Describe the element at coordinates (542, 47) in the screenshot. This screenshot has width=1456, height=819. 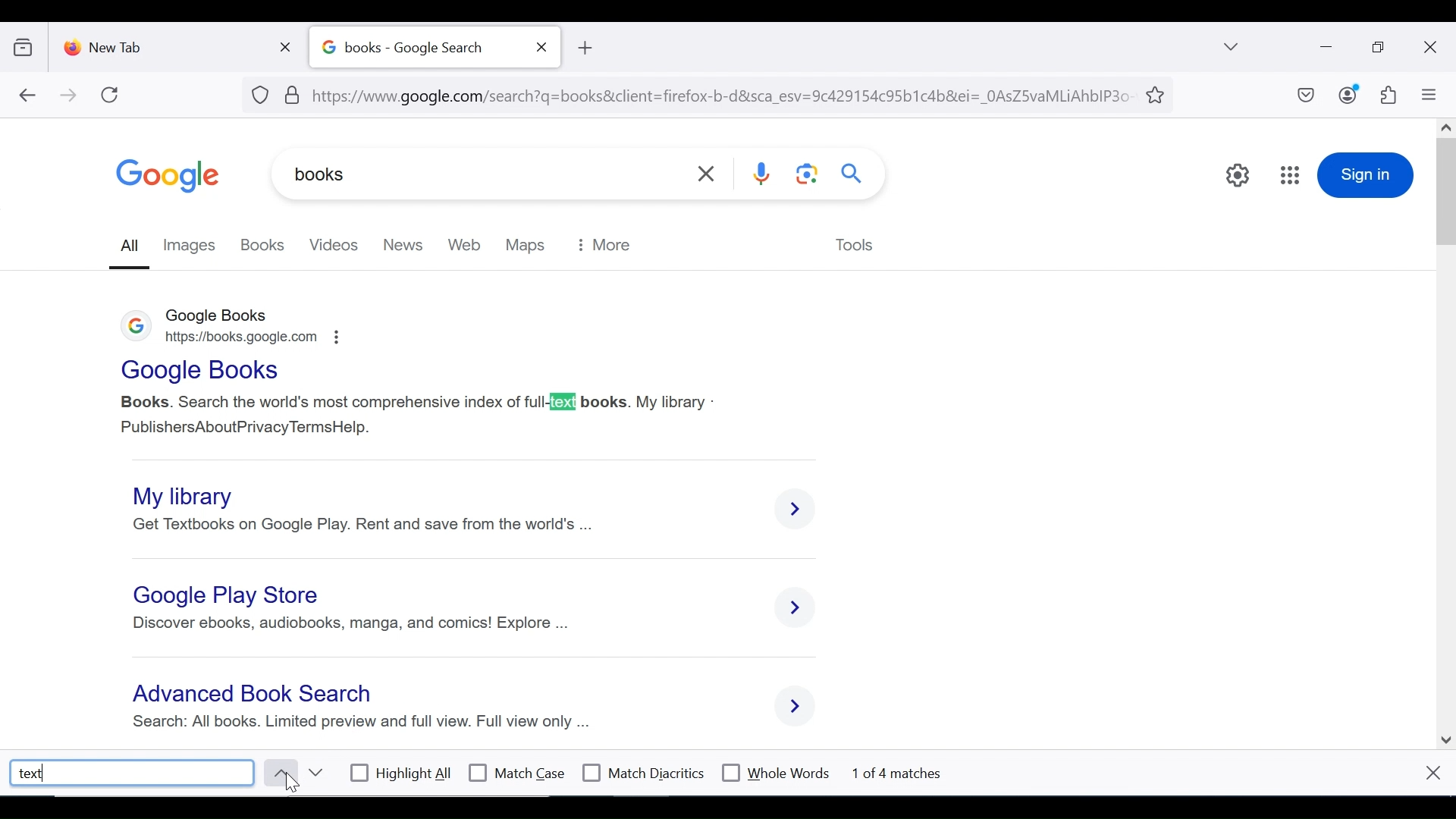
I see `close tab` at that location.